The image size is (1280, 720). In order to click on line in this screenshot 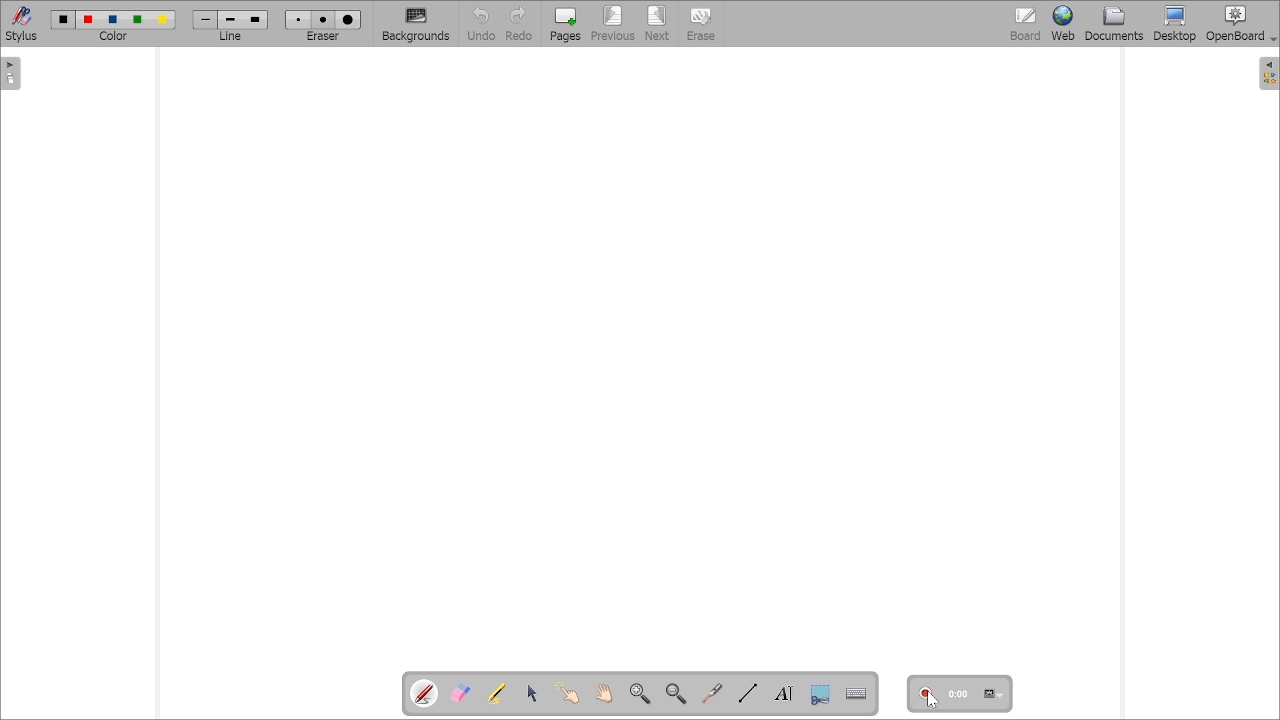, I will do `click(230, 37)`.